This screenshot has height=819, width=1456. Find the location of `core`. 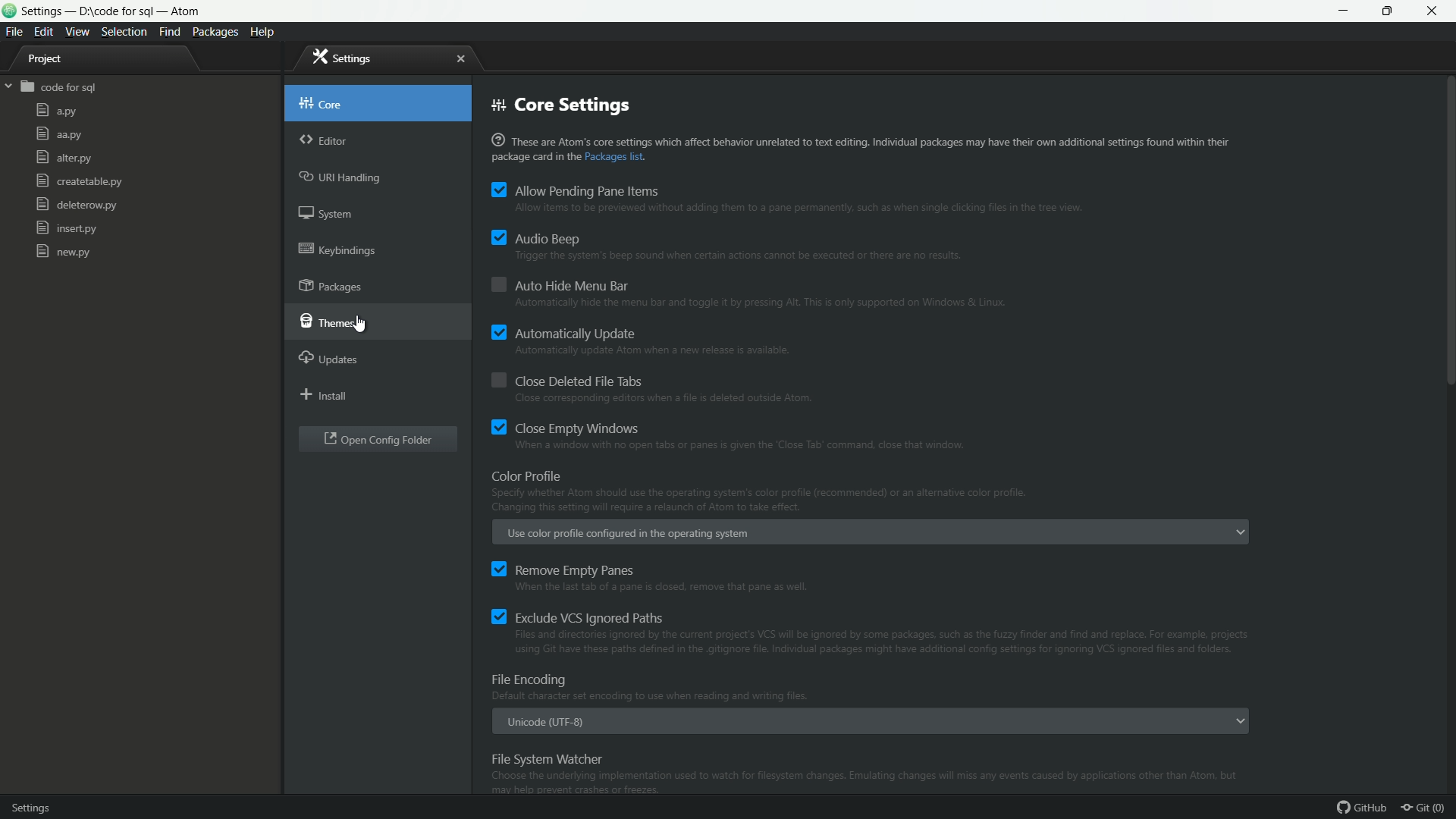

core is located at coordinates (322, 101).